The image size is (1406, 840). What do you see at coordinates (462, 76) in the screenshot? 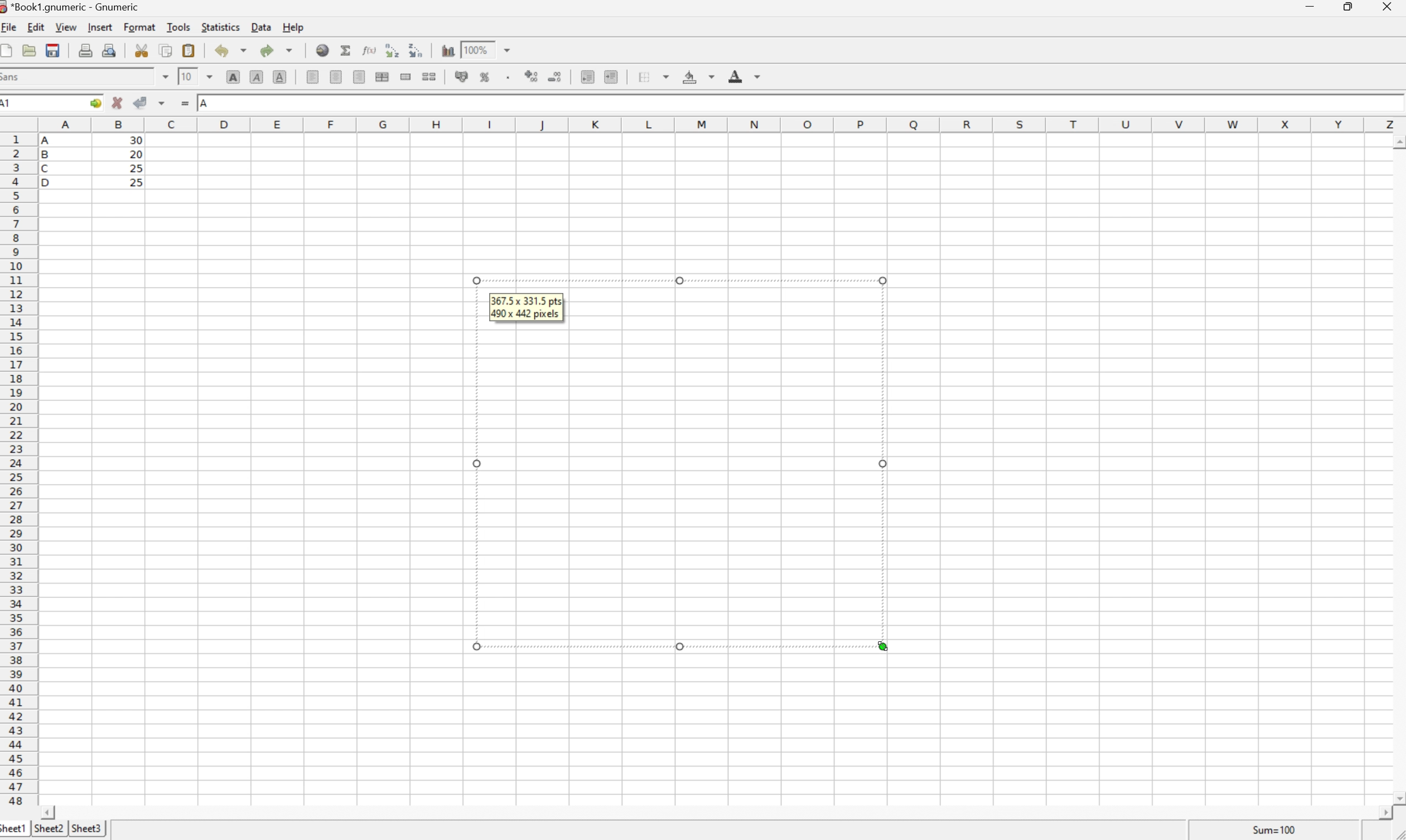
I see `Format selection as accounting` at bounding box center [462, 76].